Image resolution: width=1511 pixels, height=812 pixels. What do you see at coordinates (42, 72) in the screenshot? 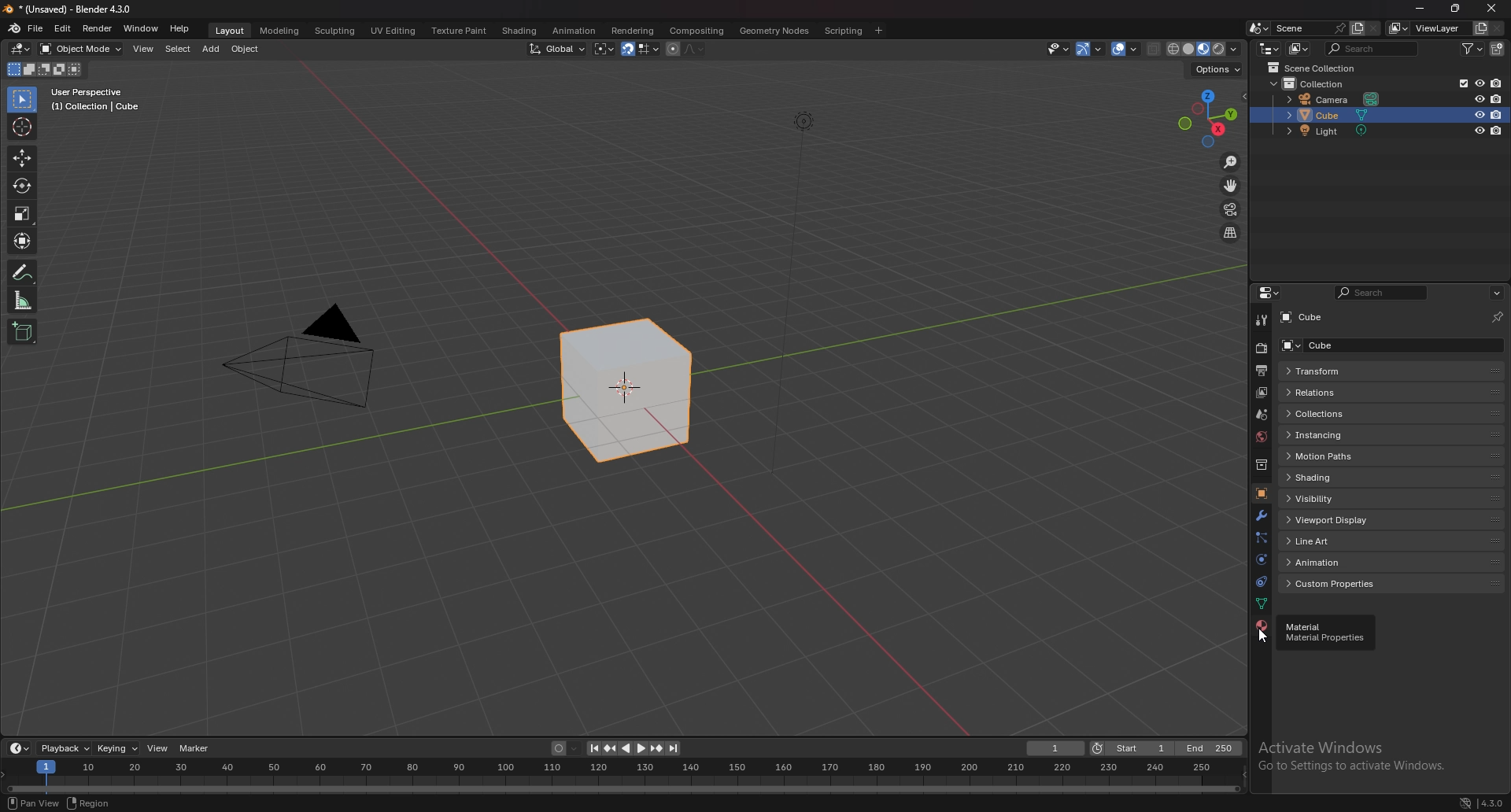
I see `mode` at bounding box center [42, 72].